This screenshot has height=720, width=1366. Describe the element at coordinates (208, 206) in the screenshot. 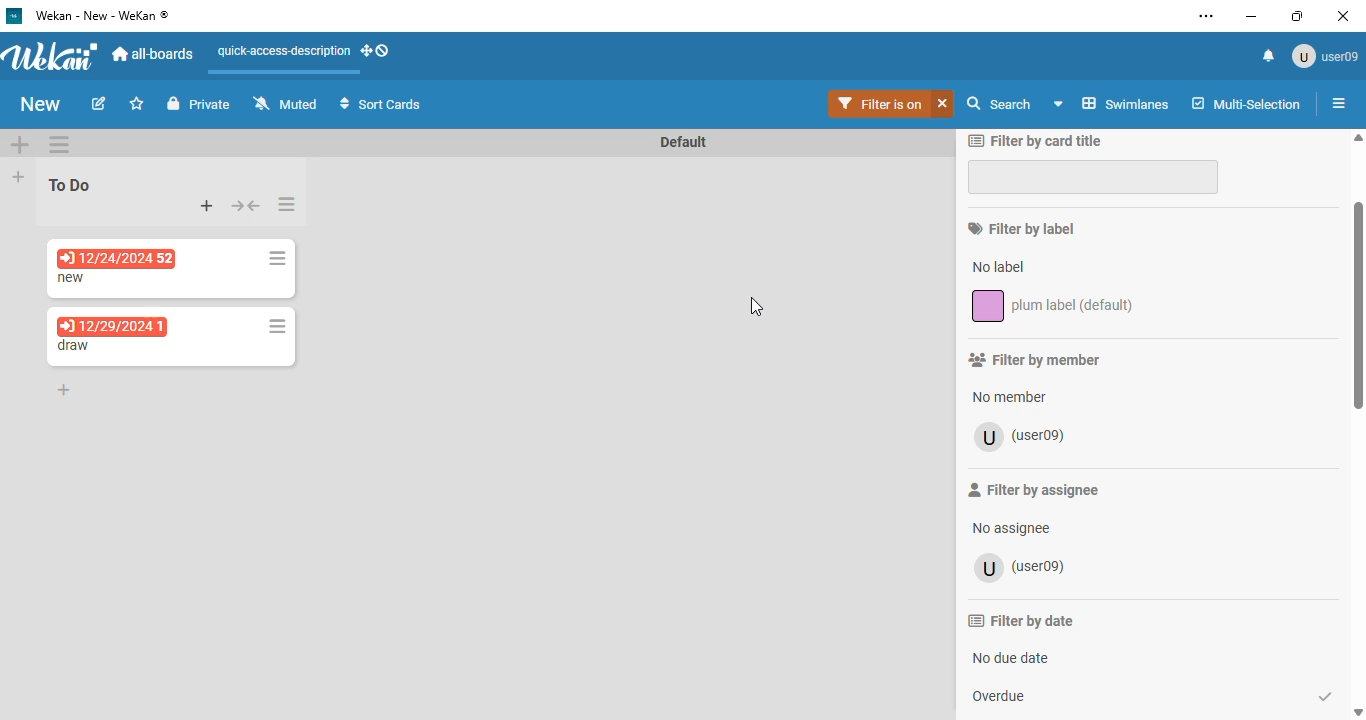

I see `add card to top of the list` at that location.